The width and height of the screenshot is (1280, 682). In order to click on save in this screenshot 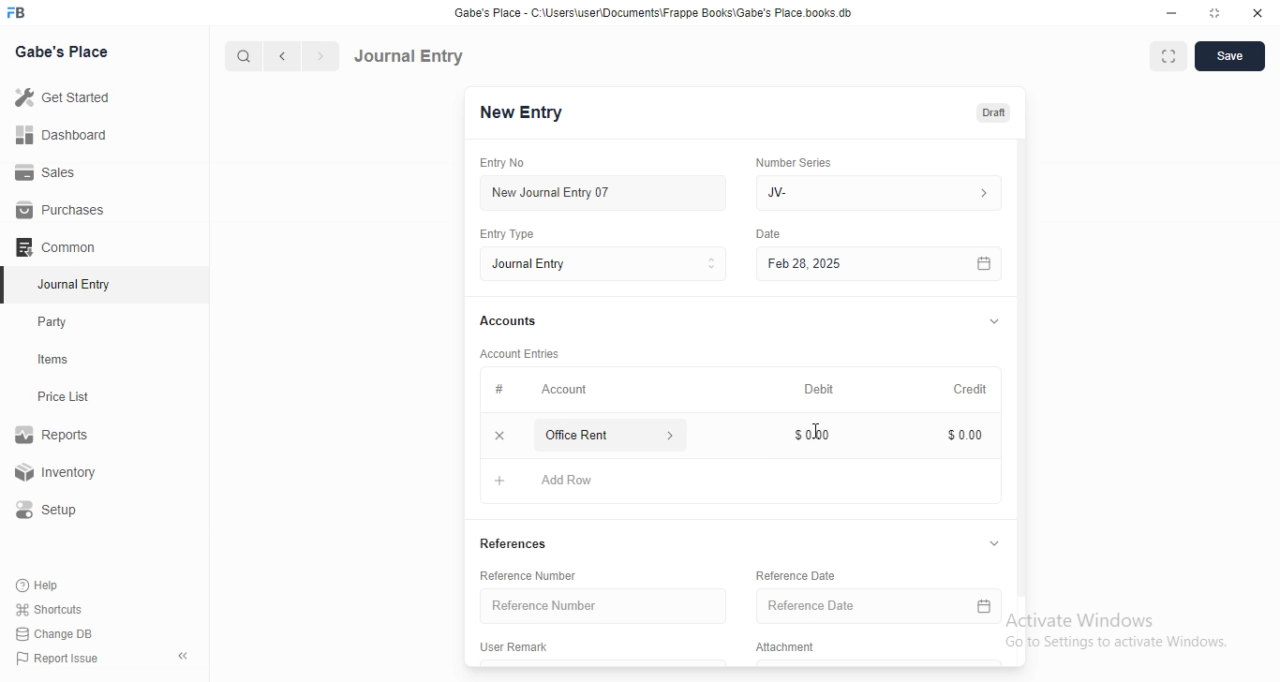, I will do `click(1231, 56)`.